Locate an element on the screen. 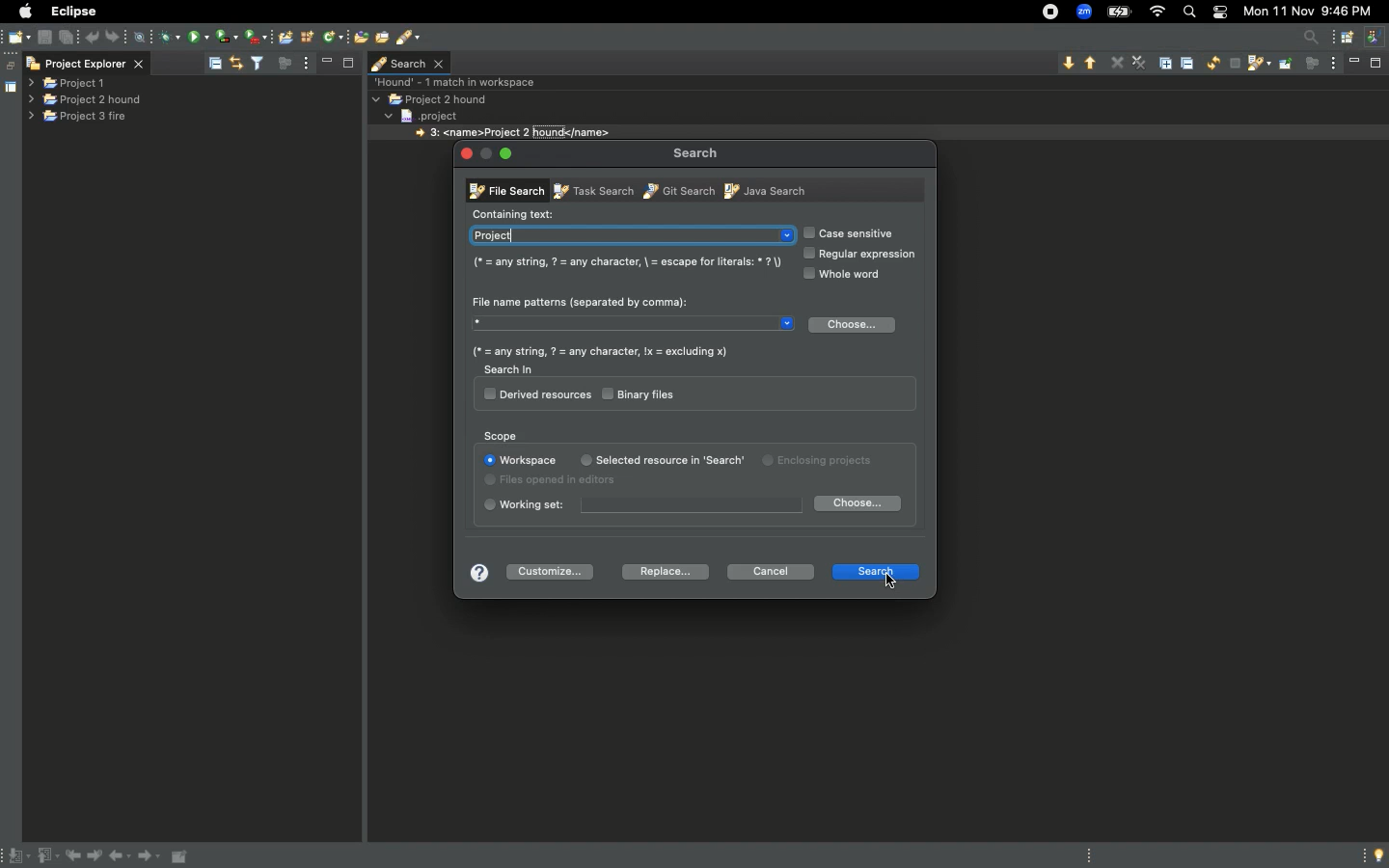 This screenshot has height=868, width=1389. Pin the search view is located at coordinates (1286, 70).